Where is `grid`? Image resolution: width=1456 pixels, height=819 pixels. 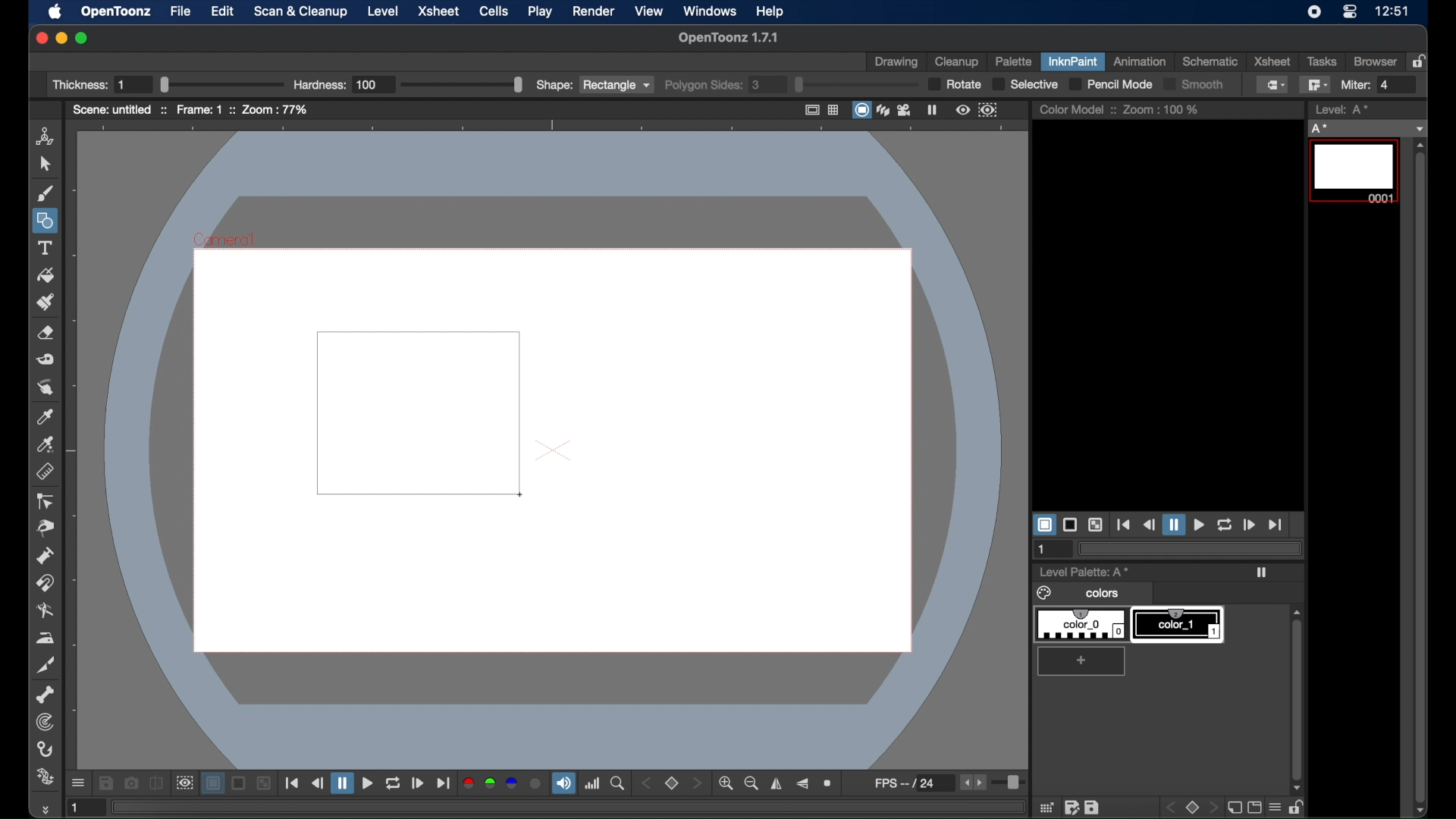
grid is located at coordinates (1047, 807).